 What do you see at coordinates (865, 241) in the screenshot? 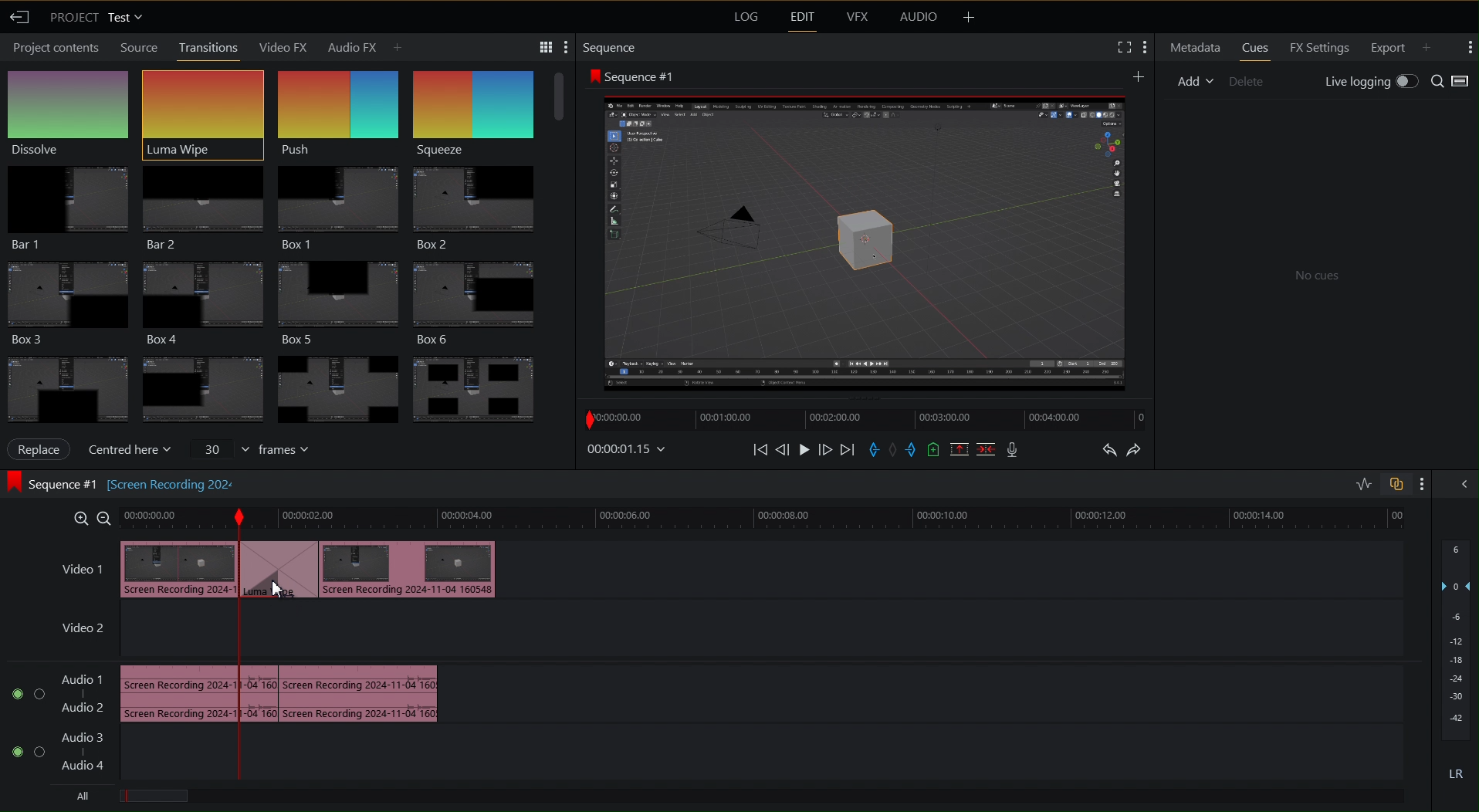
I see `Preview` at bounding box center [865, 241].